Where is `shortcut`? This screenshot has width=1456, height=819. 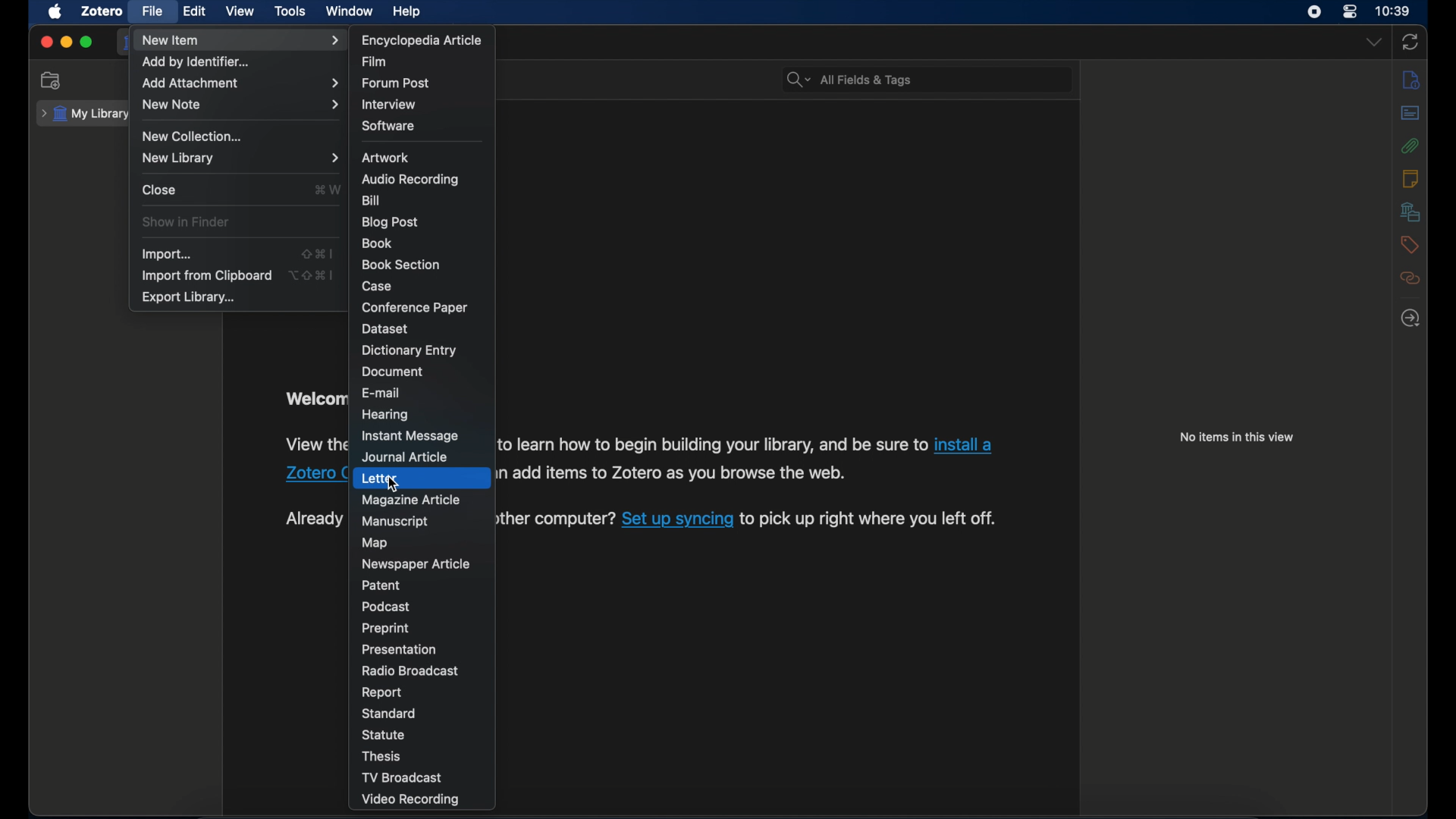 shortcut is located at coordinates (311, 275).